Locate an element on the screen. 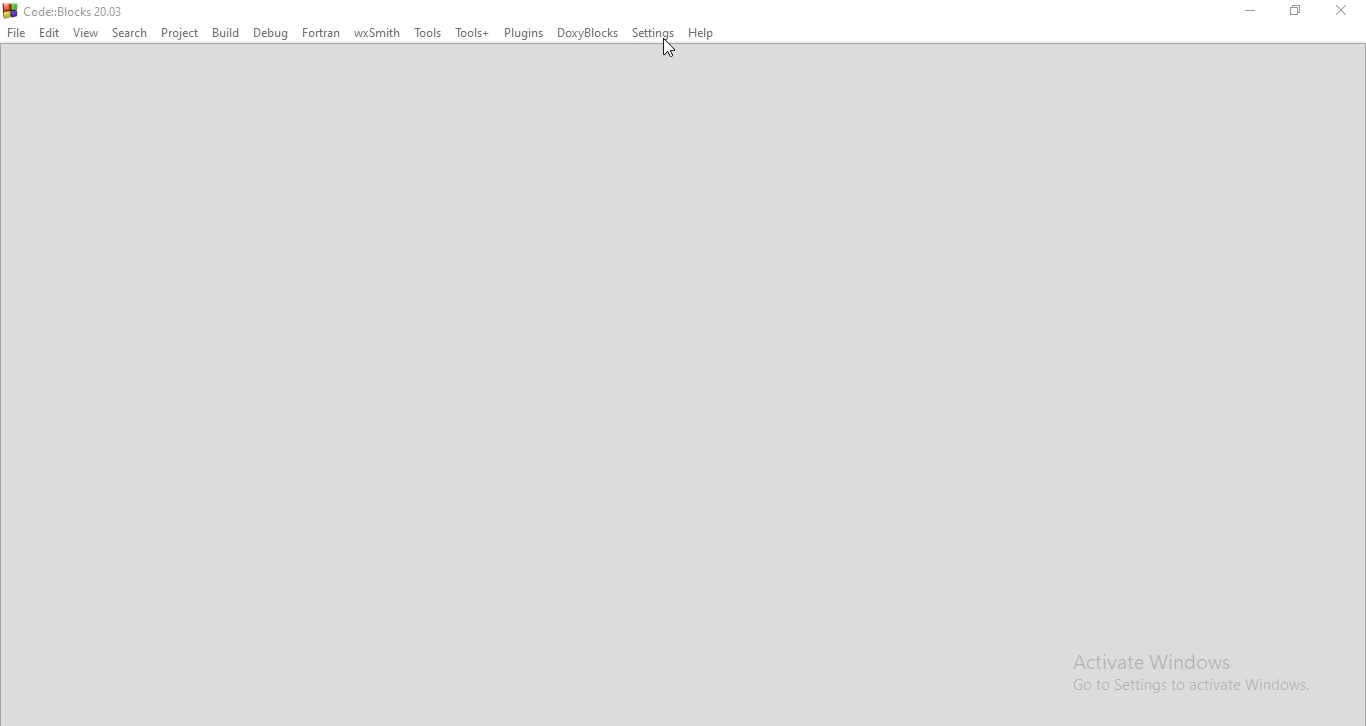  View is located at coordinates (87, 34).